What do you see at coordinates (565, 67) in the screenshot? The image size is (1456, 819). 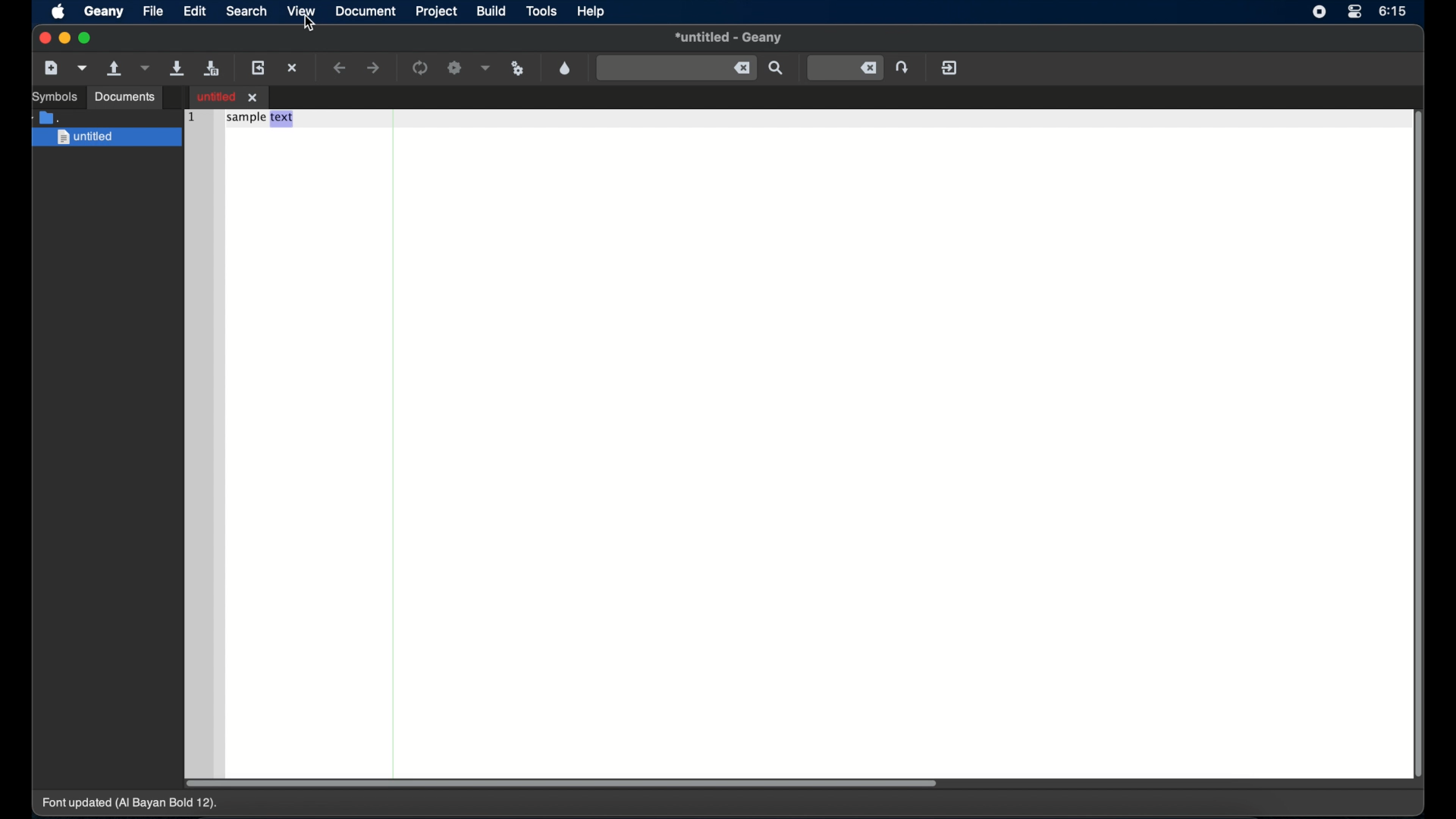 I see `open a color chooser dialogue` at bounding box center [565, 67].